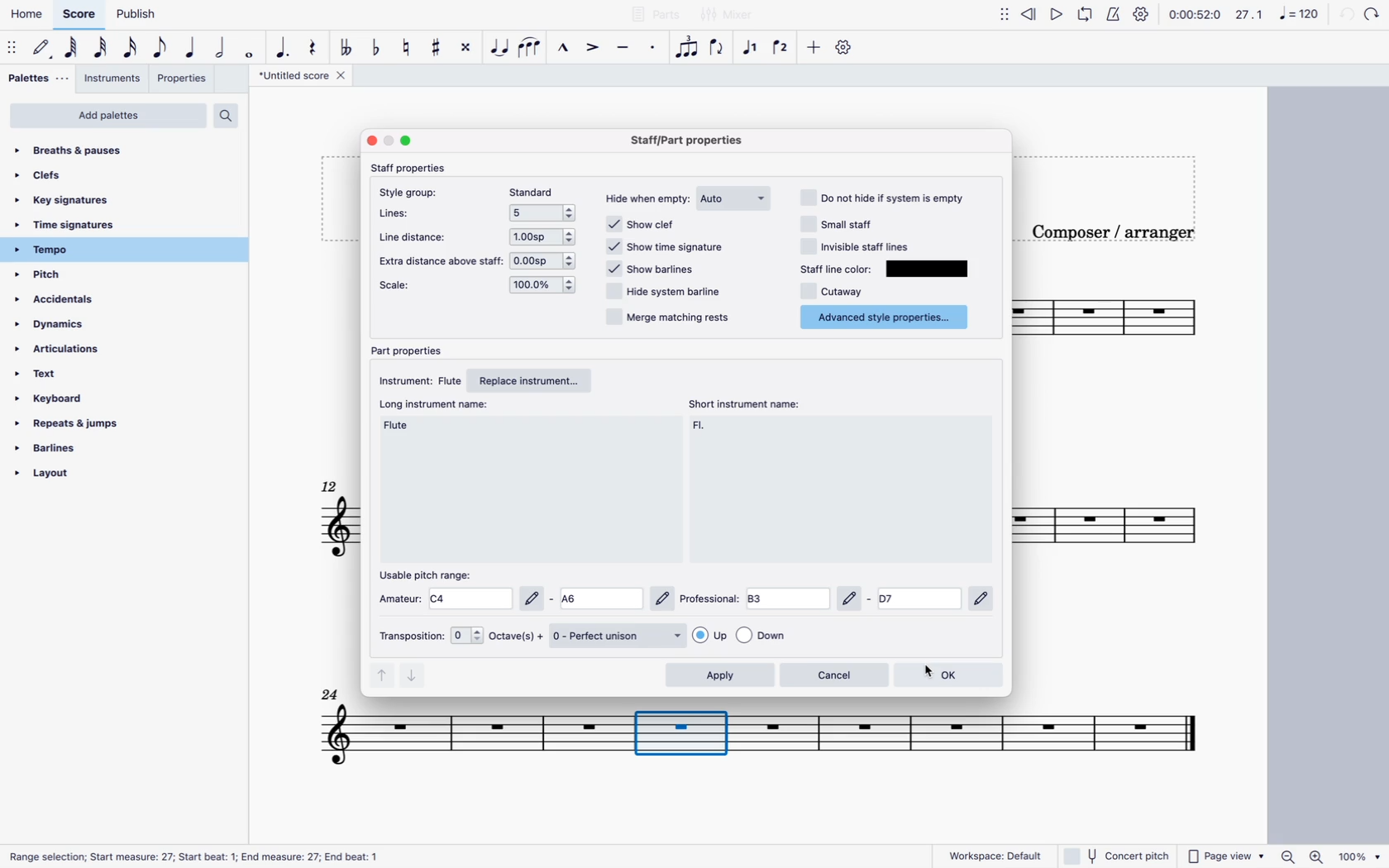 Image resolution: width=1389 pixels, height=868 pixels. Describe the element at coordinates (542, 238) in the screenshot. I see `options` at that location.